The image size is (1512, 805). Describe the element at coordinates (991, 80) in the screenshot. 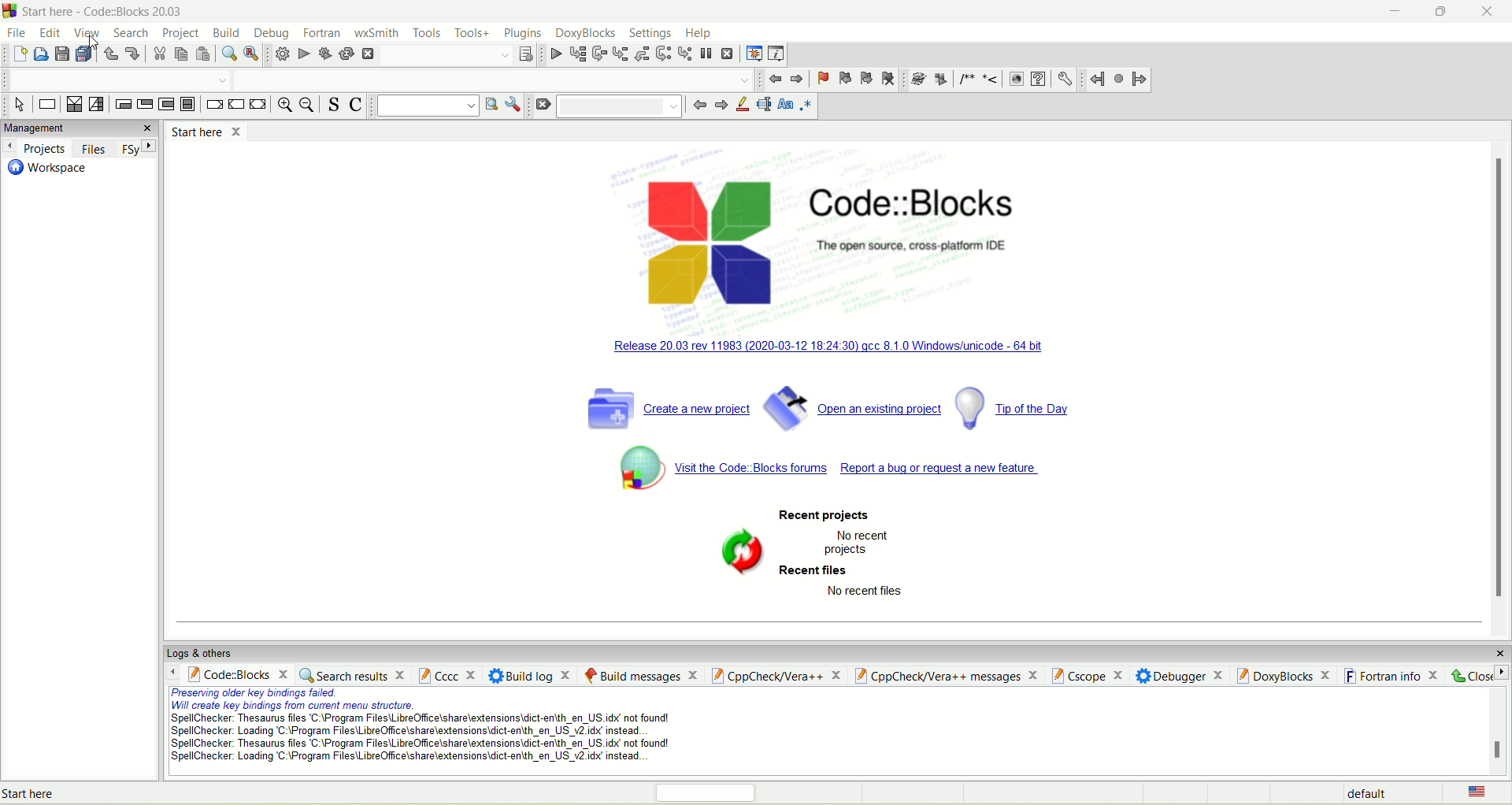

I see `Insert a line` at that location.